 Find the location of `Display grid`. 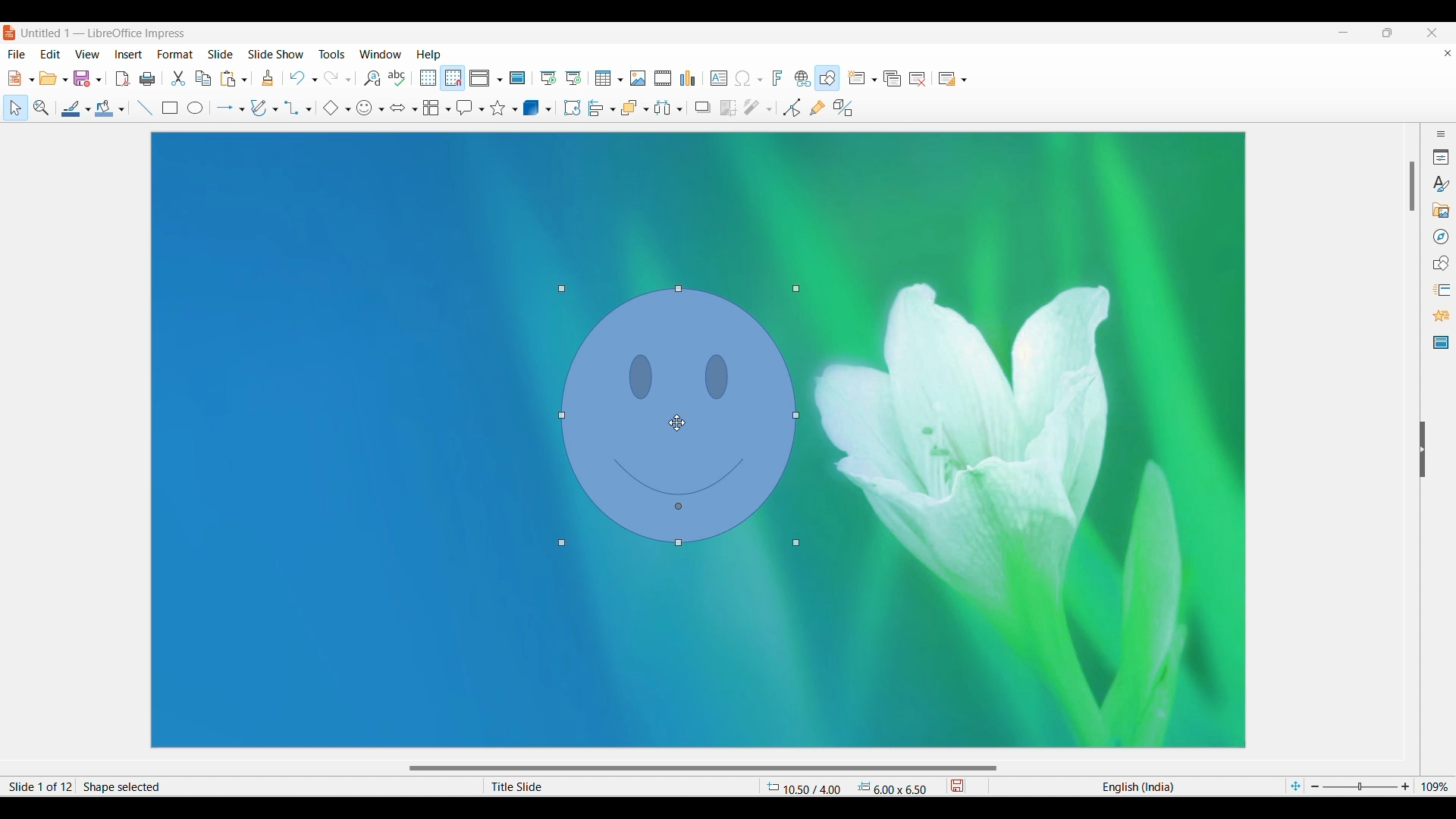

Display grid is located at coordinates (428, 78).